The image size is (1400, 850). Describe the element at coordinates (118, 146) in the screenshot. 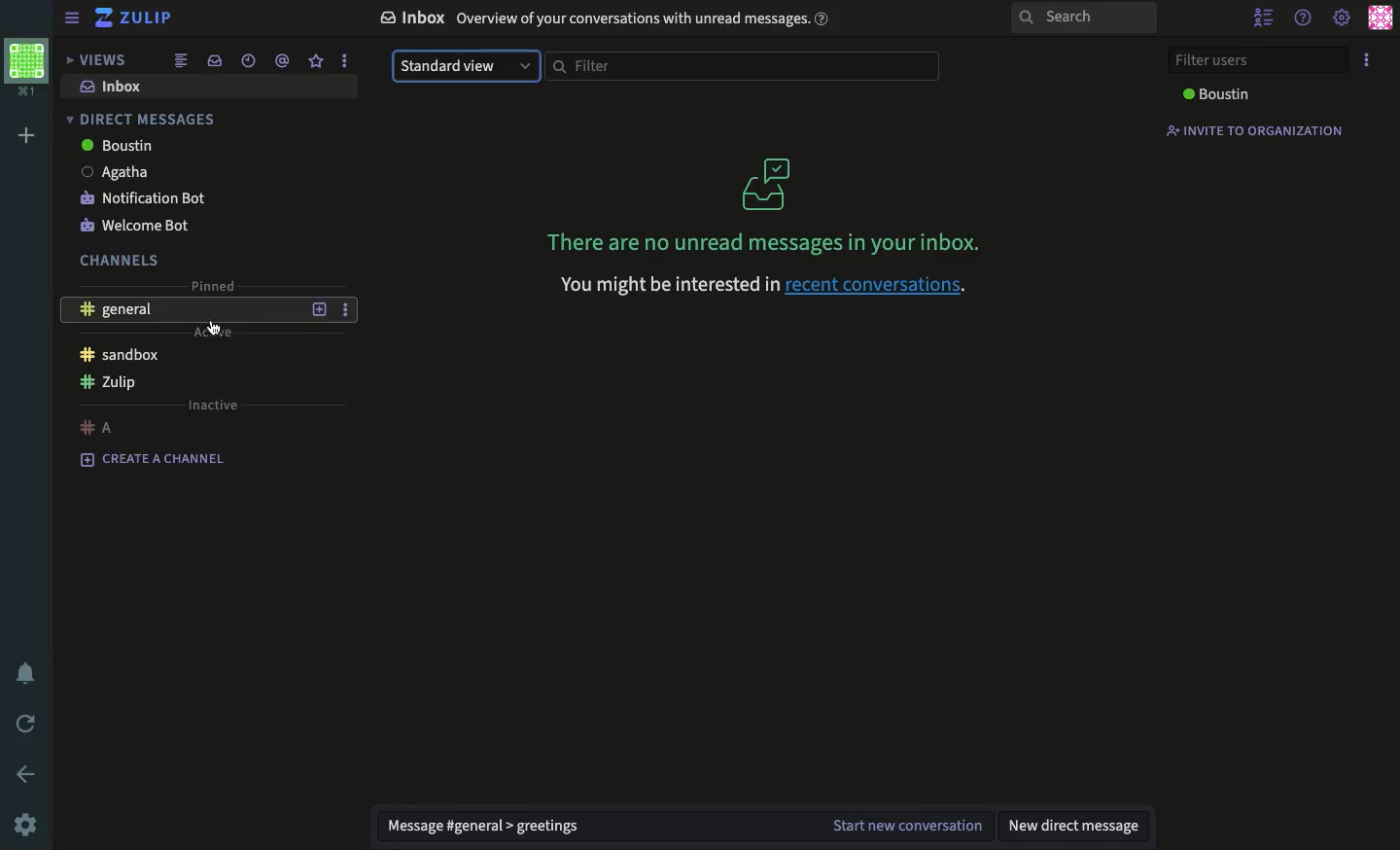

I see `boustin` at that location.